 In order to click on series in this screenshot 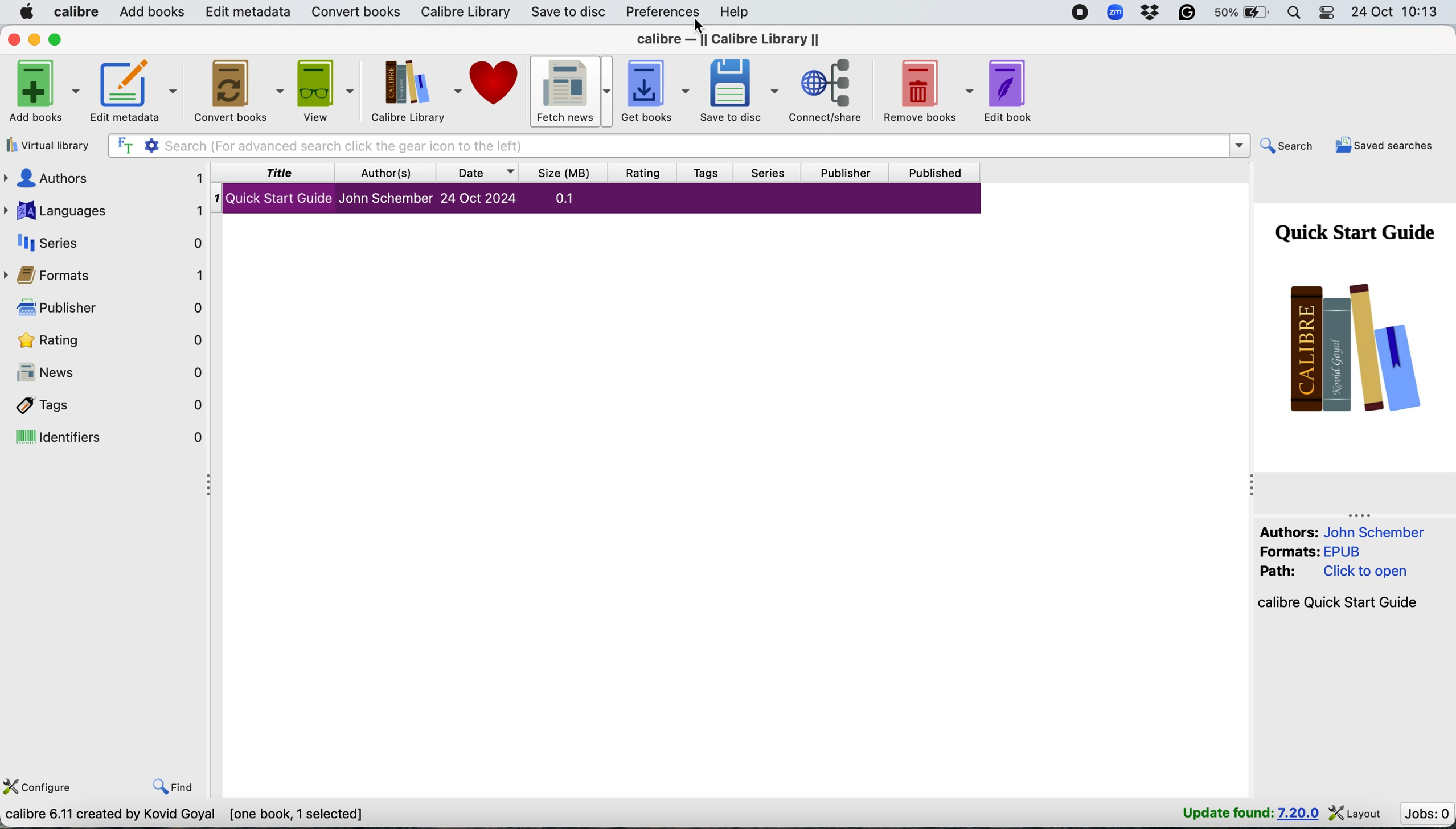, I will do `click(772, 172)`.